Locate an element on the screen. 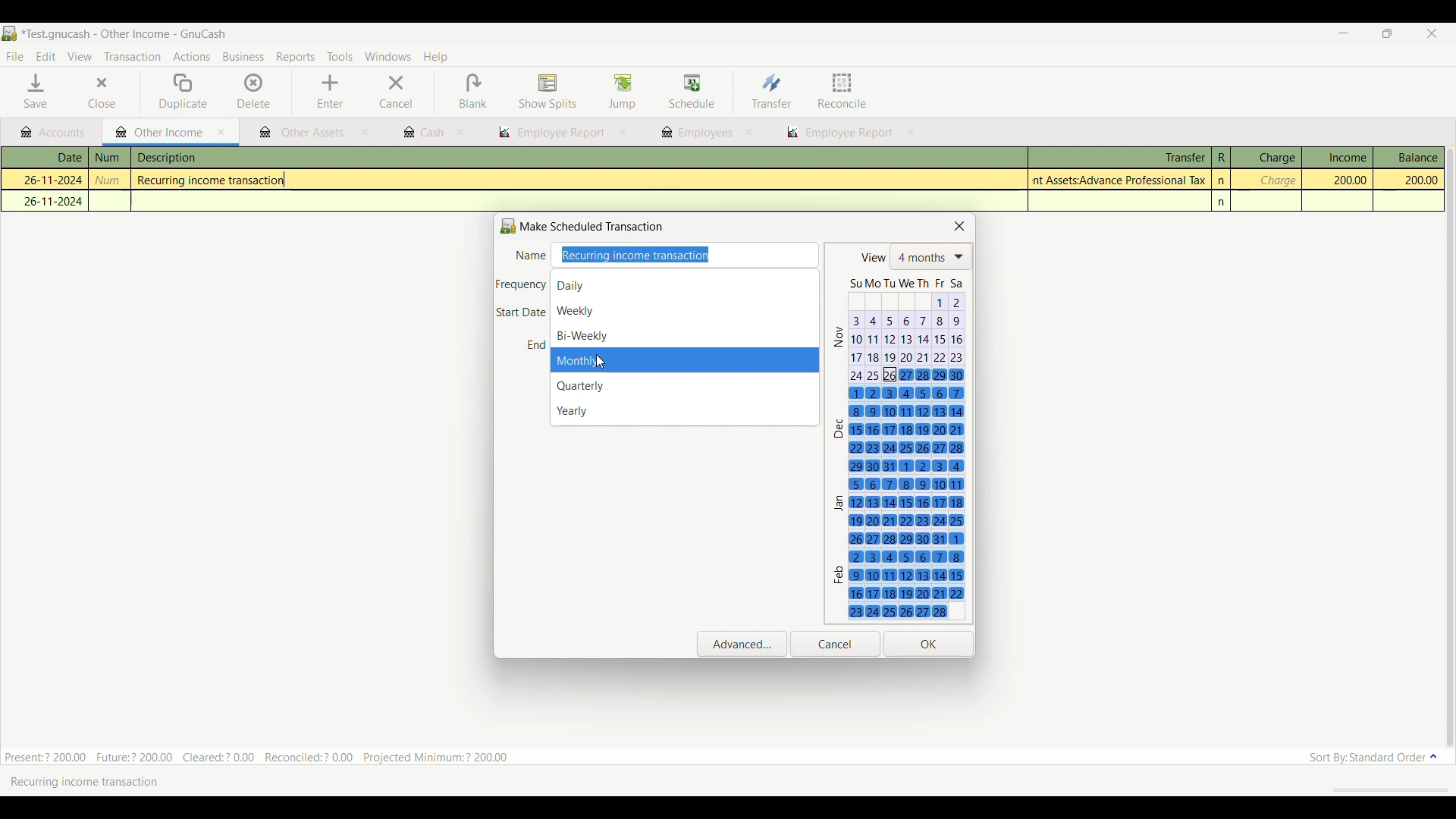 The width and height of the screenshot is (1456, 819). Frequency is located at coordinates (519, 285).